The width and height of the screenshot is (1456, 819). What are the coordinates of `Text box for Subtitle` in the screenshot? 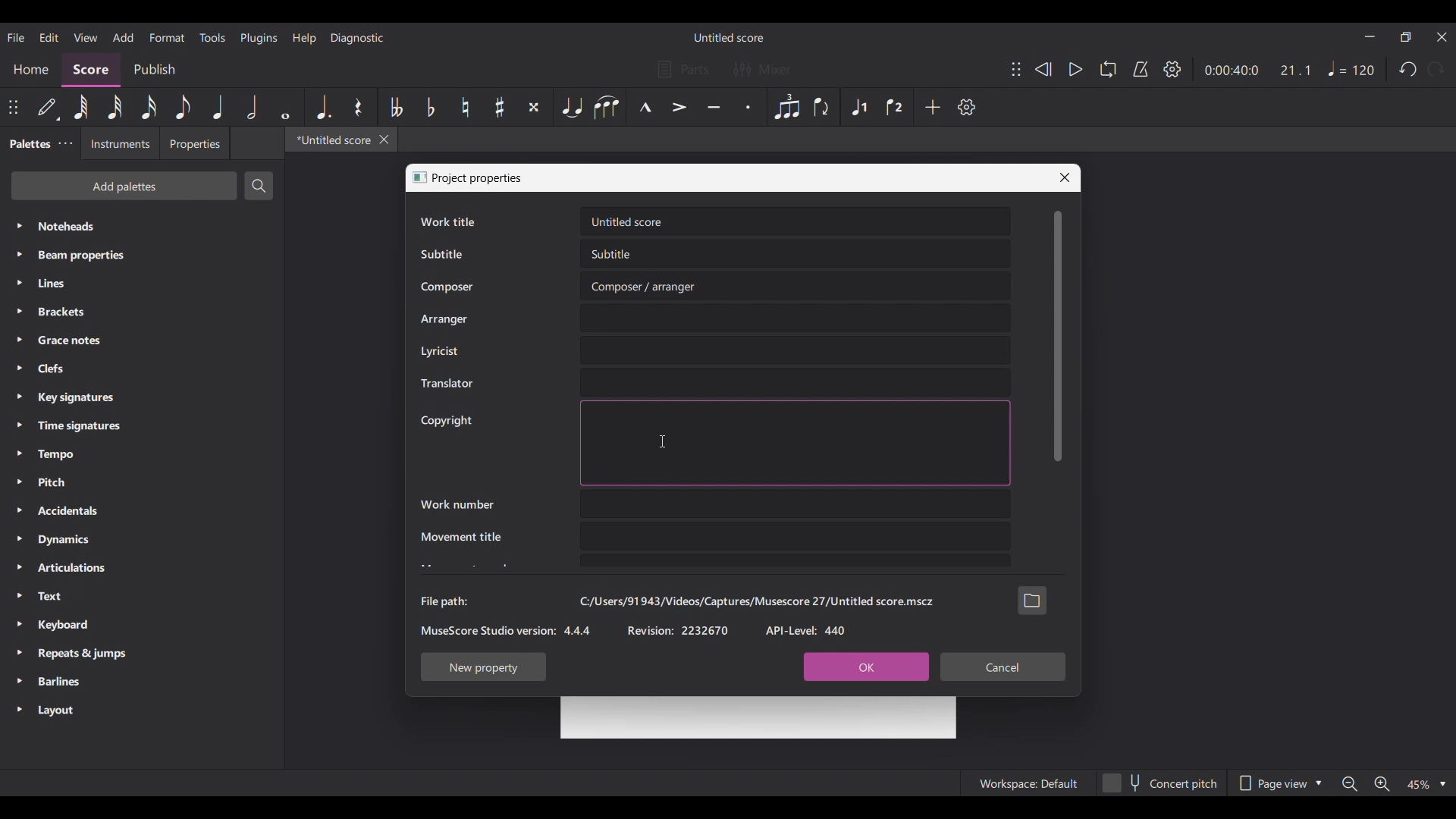 It's located at (796, 254).